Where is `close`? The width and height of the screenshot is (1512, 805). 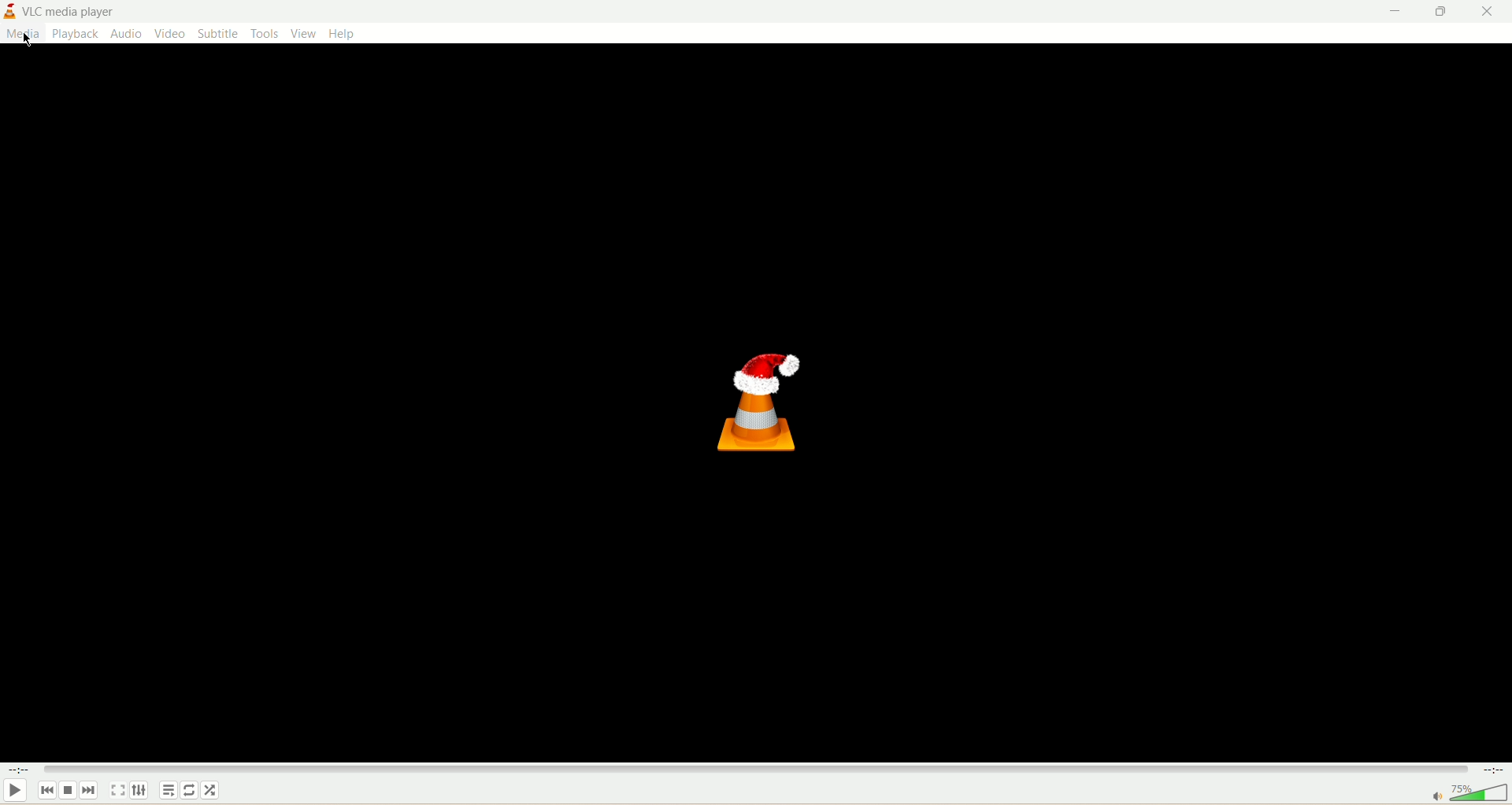
close is located at coordinates (1492, 11).